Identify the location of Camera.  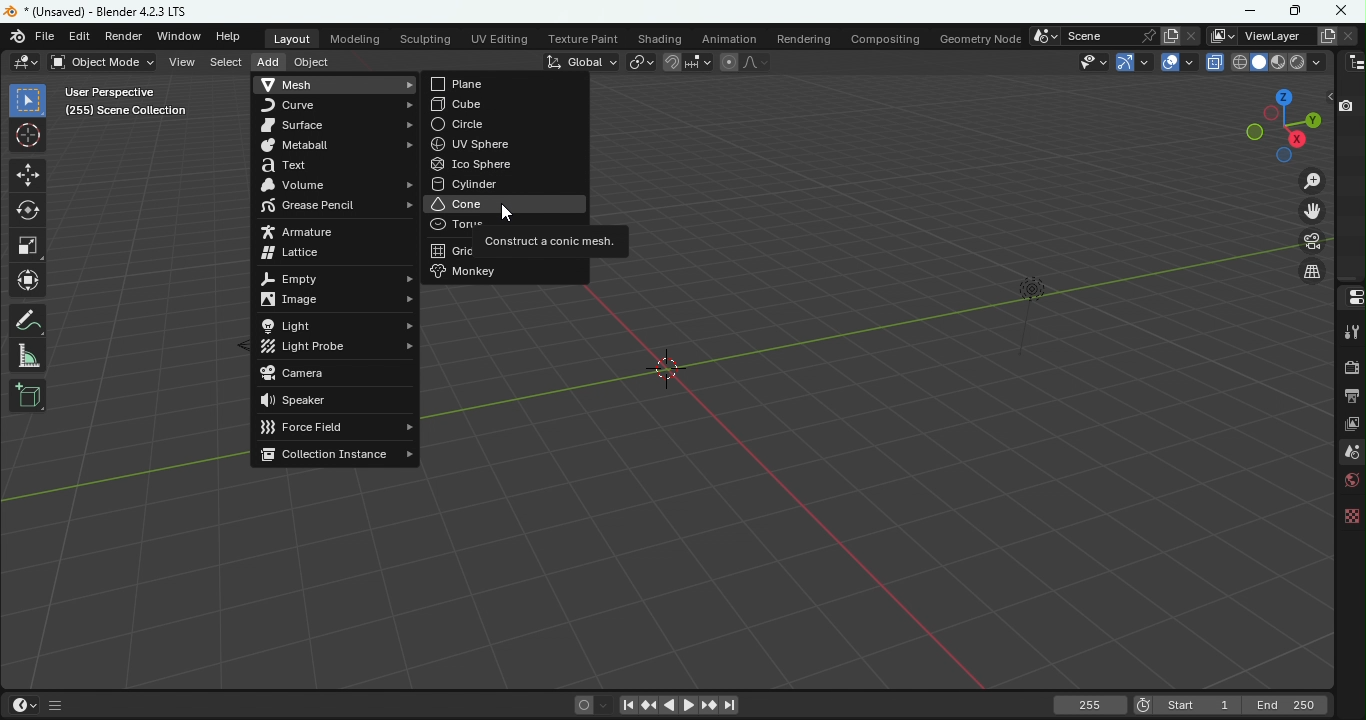
(341, 374).